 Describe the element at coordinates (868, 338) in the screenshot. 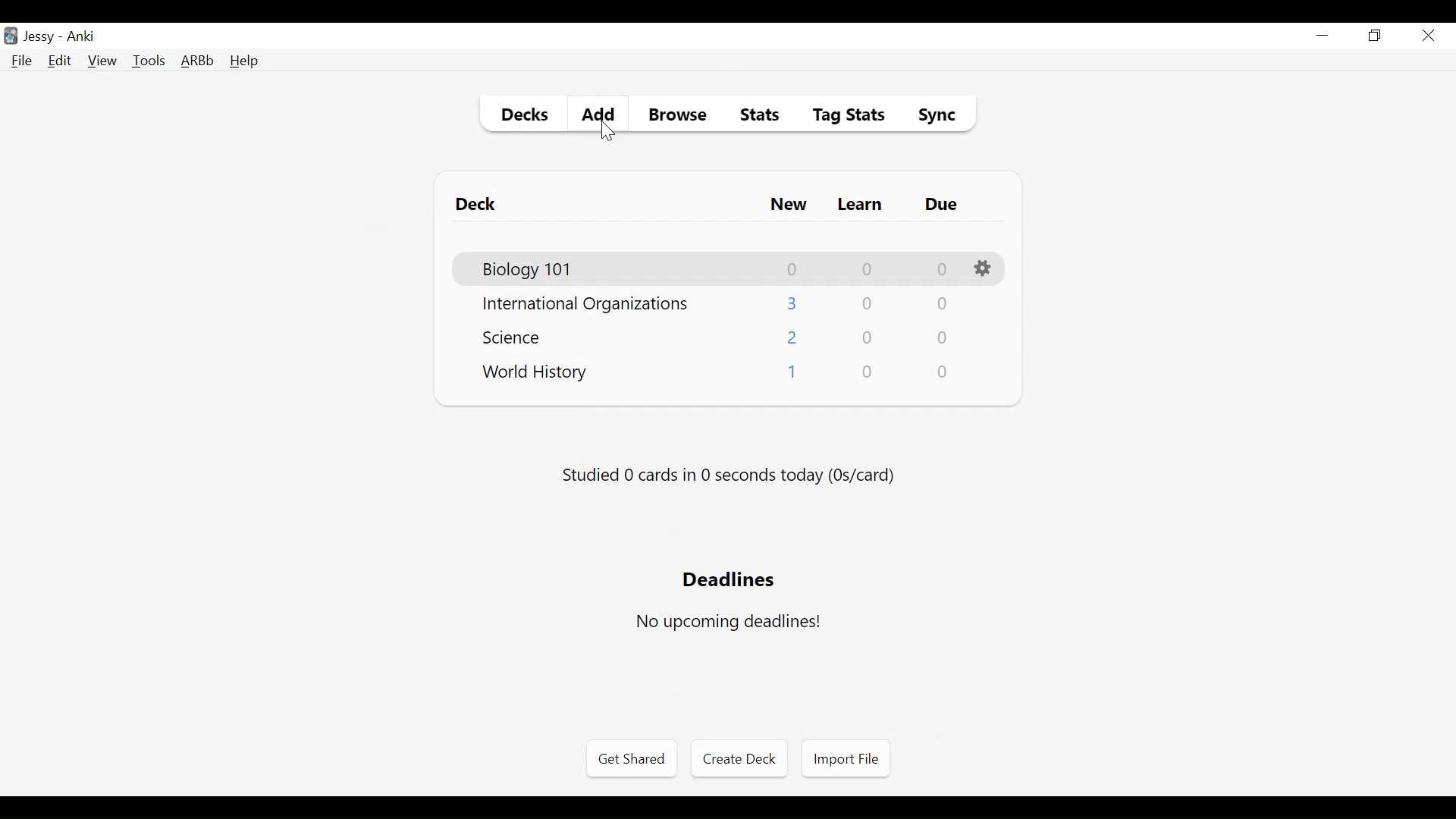

I see `Learn Card Count` at that location.